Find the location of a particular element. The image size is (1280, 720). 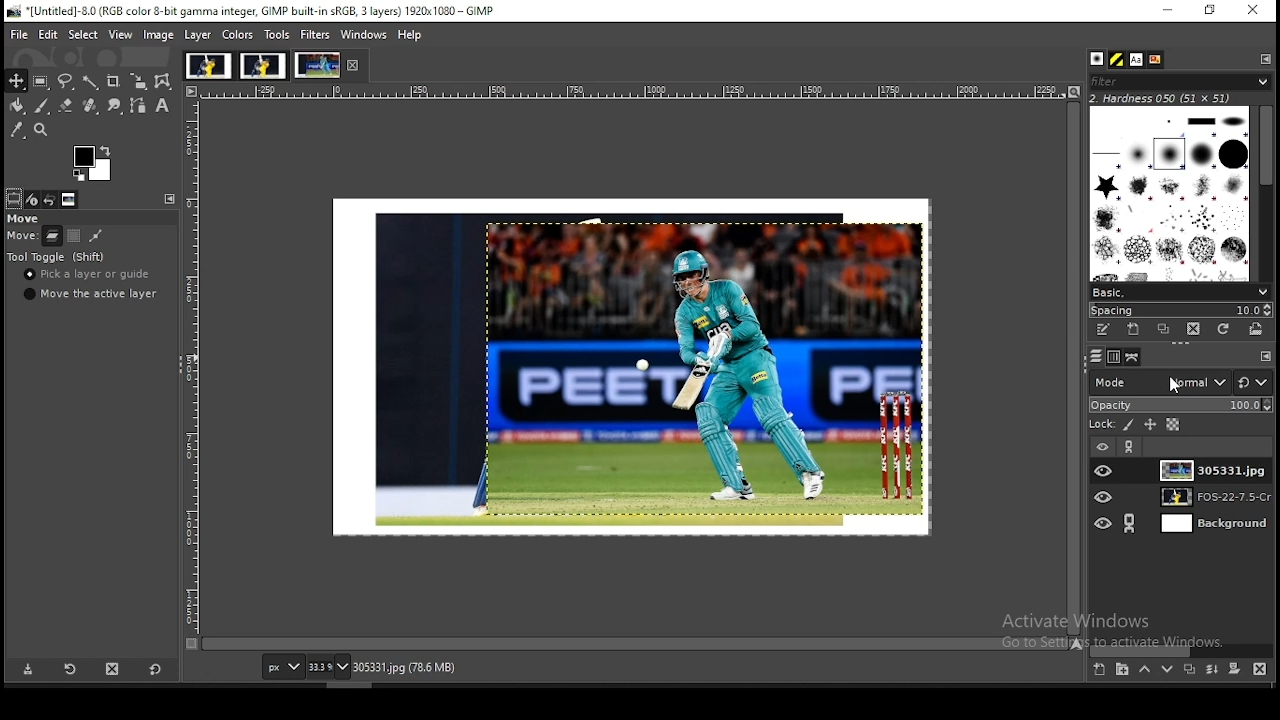

rectangular selection tool is located at coordinates (40, 80).